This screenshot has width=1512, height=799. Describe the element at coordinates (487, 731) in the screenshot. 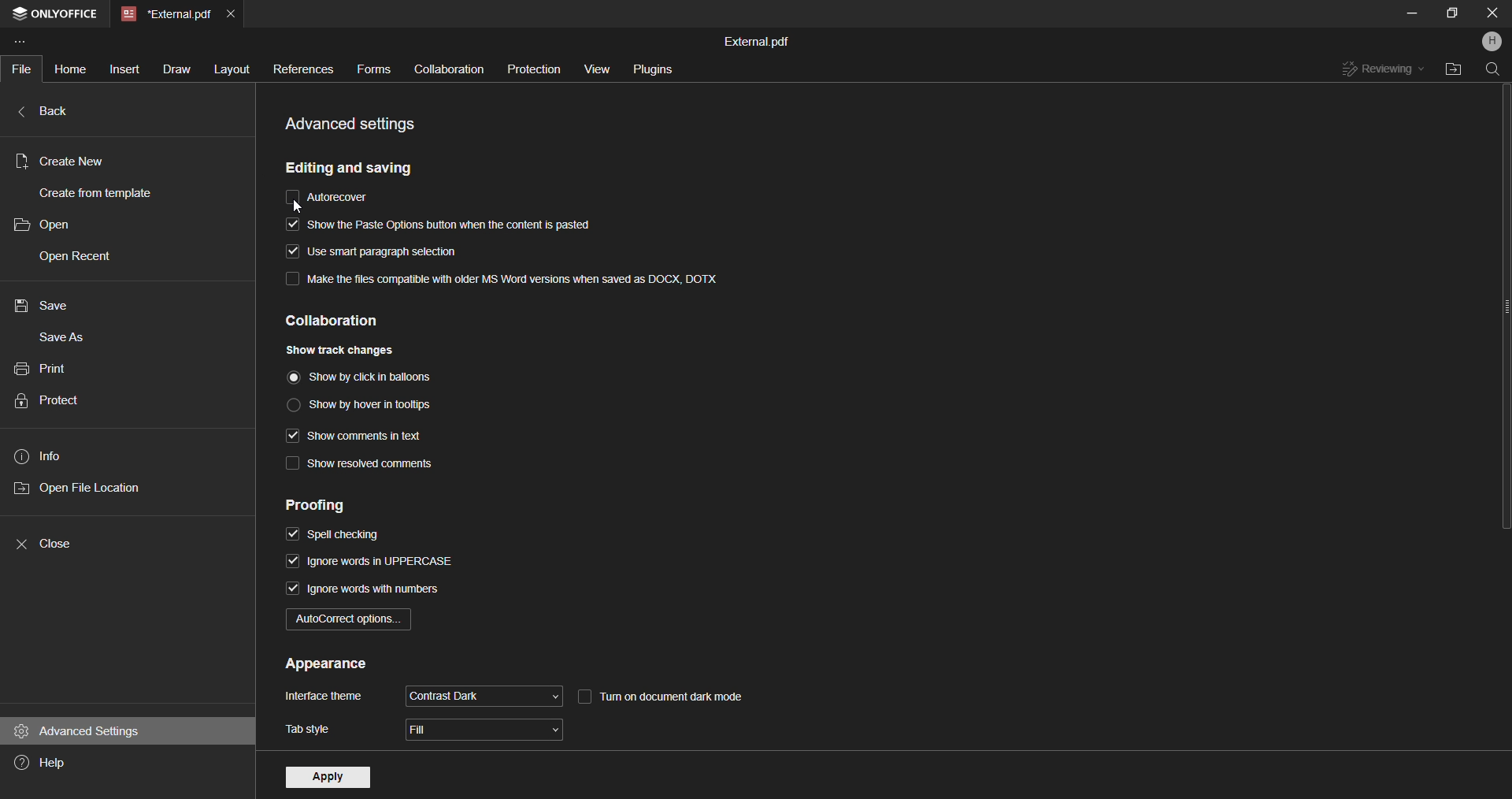

I see `fill` at that location.